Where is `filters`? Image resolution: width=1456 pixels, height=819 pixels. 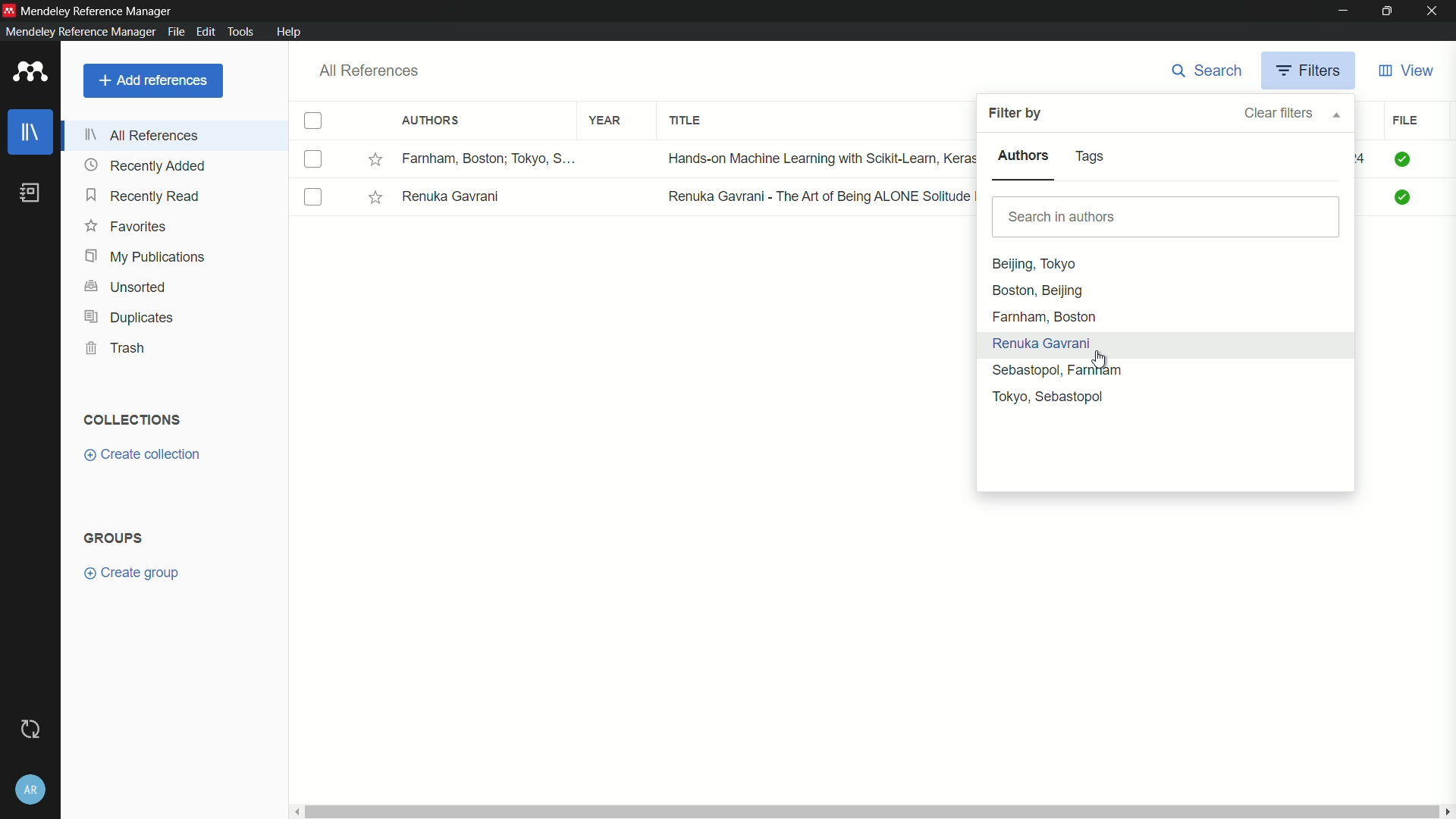
filters is located at coordinates (1308, 71).